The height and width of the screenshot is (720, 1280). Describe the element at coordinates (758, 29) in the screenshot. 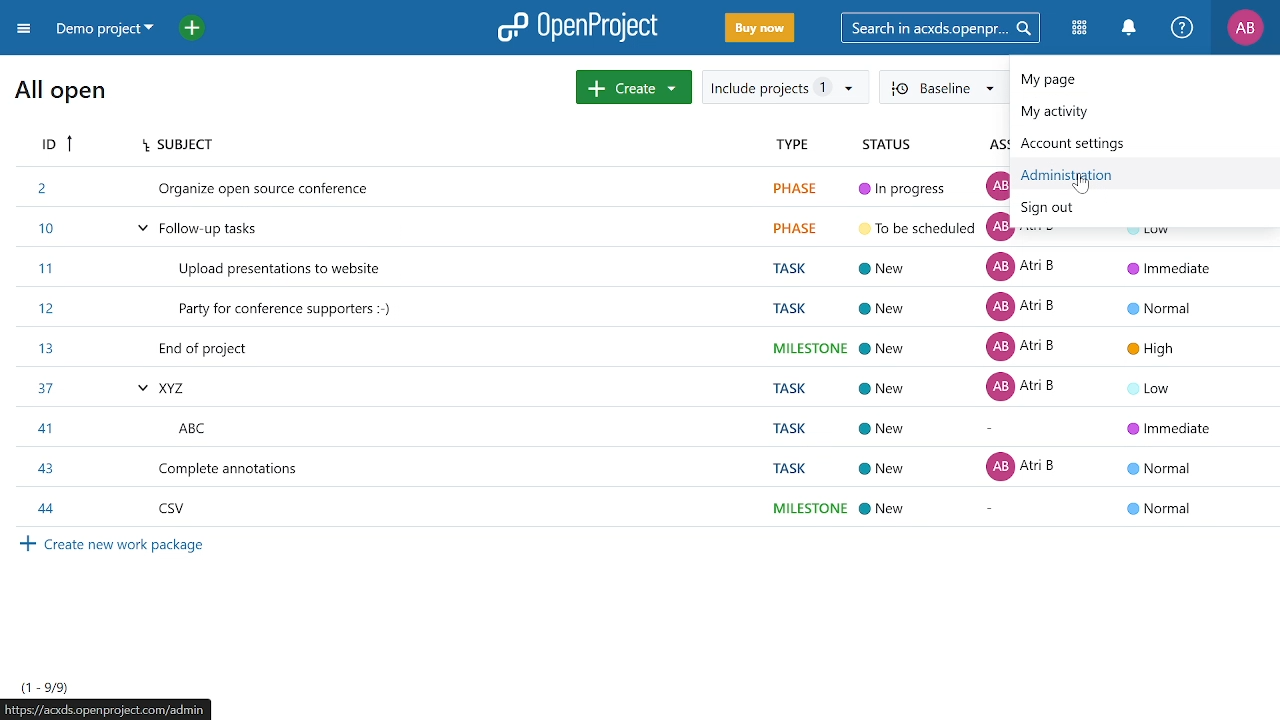

I see `Buy now` at that location.